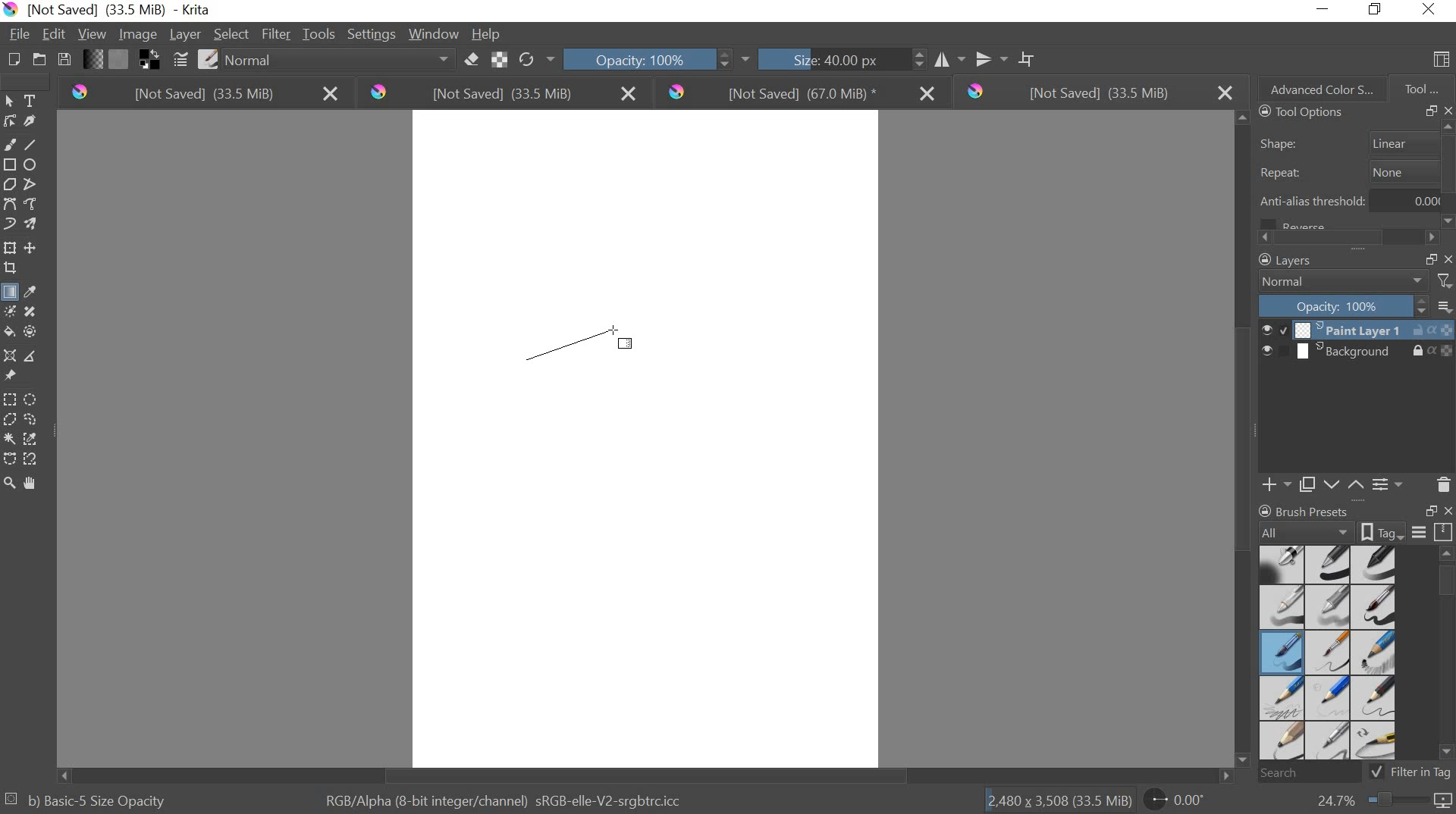  What do you see at coordinates (338, 61) in the screenshot?
I see `normal` at bounding box center [338, 61].